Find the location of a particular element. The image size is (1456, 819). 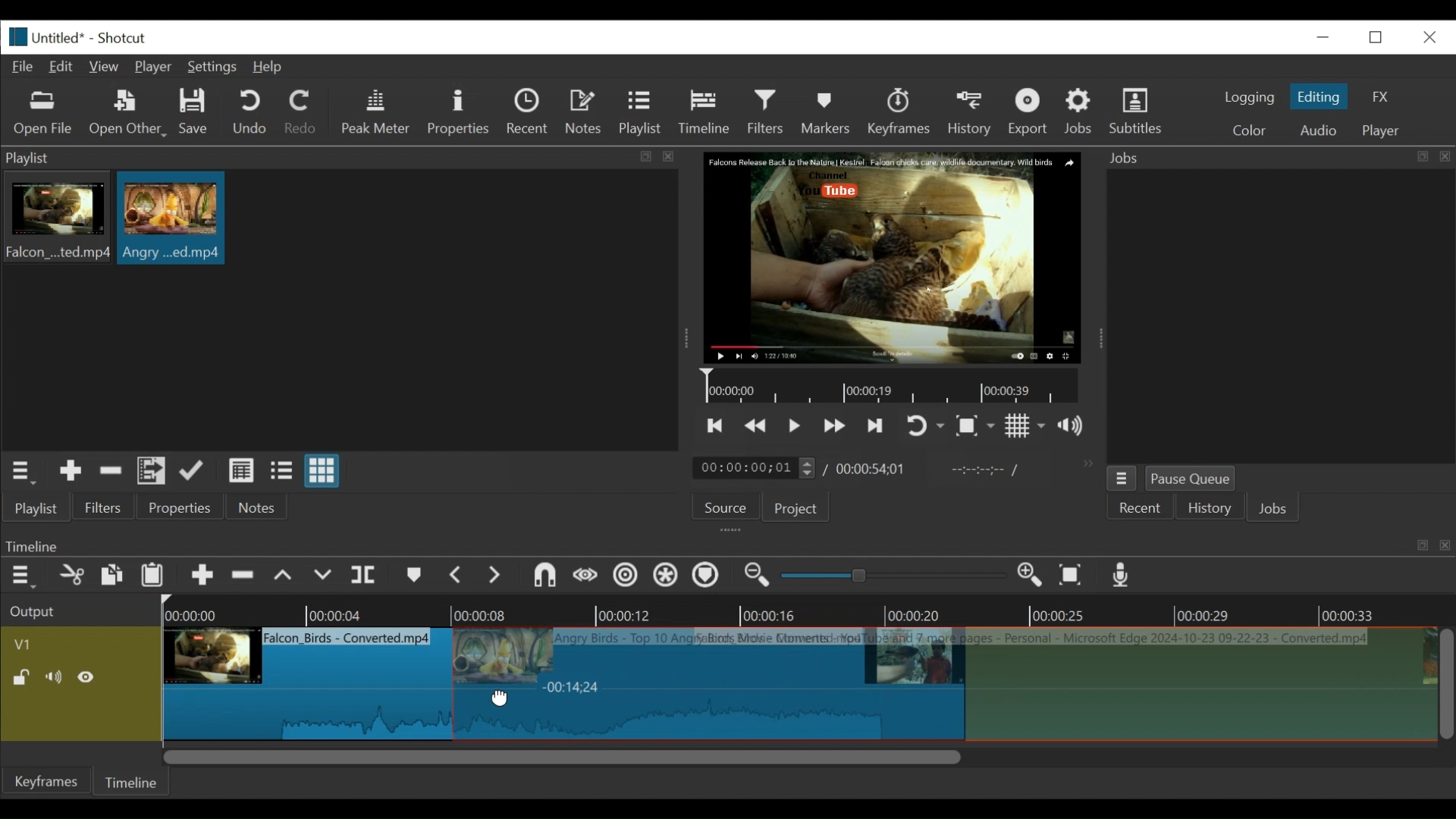

Mute is located at coordinates (57, 677).